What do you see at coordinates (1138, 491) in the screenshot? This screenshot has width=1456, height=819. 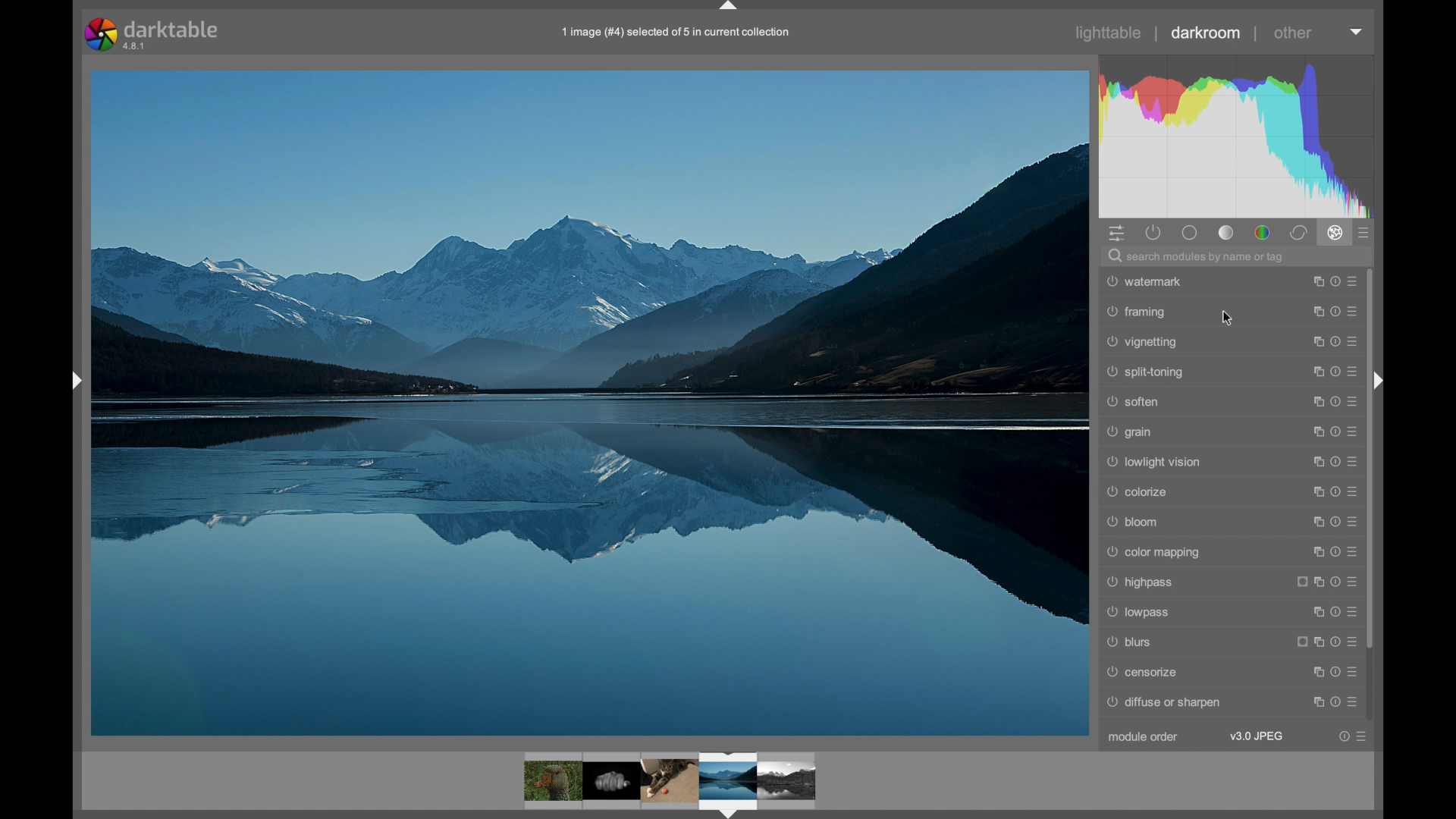 I see `colorize` at bounding box center [1138, 491].